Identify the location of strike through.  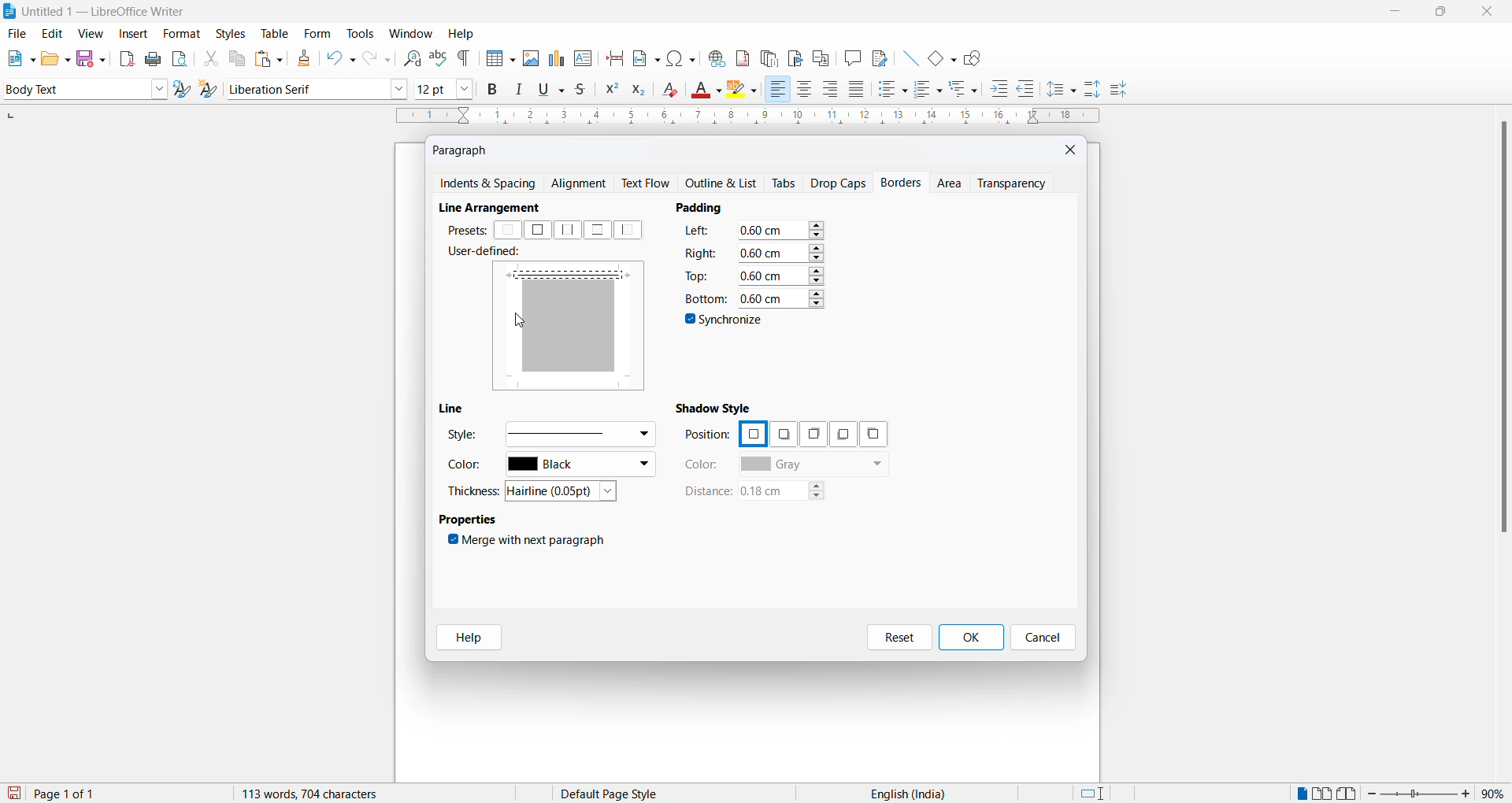
(585, 90).